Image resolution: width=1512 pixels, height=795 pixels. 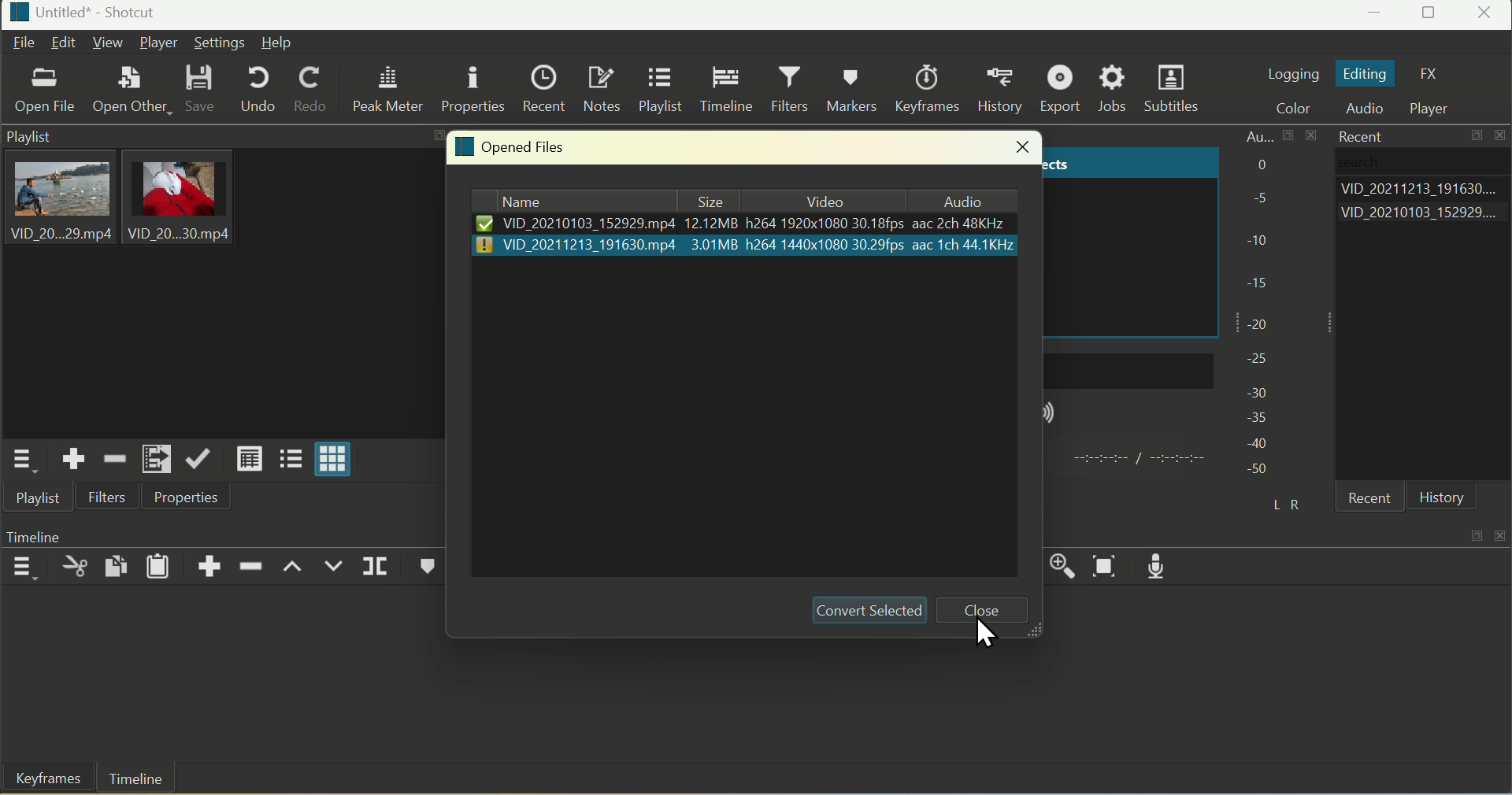 I want to click on Markers, so click(x=855, y=87).